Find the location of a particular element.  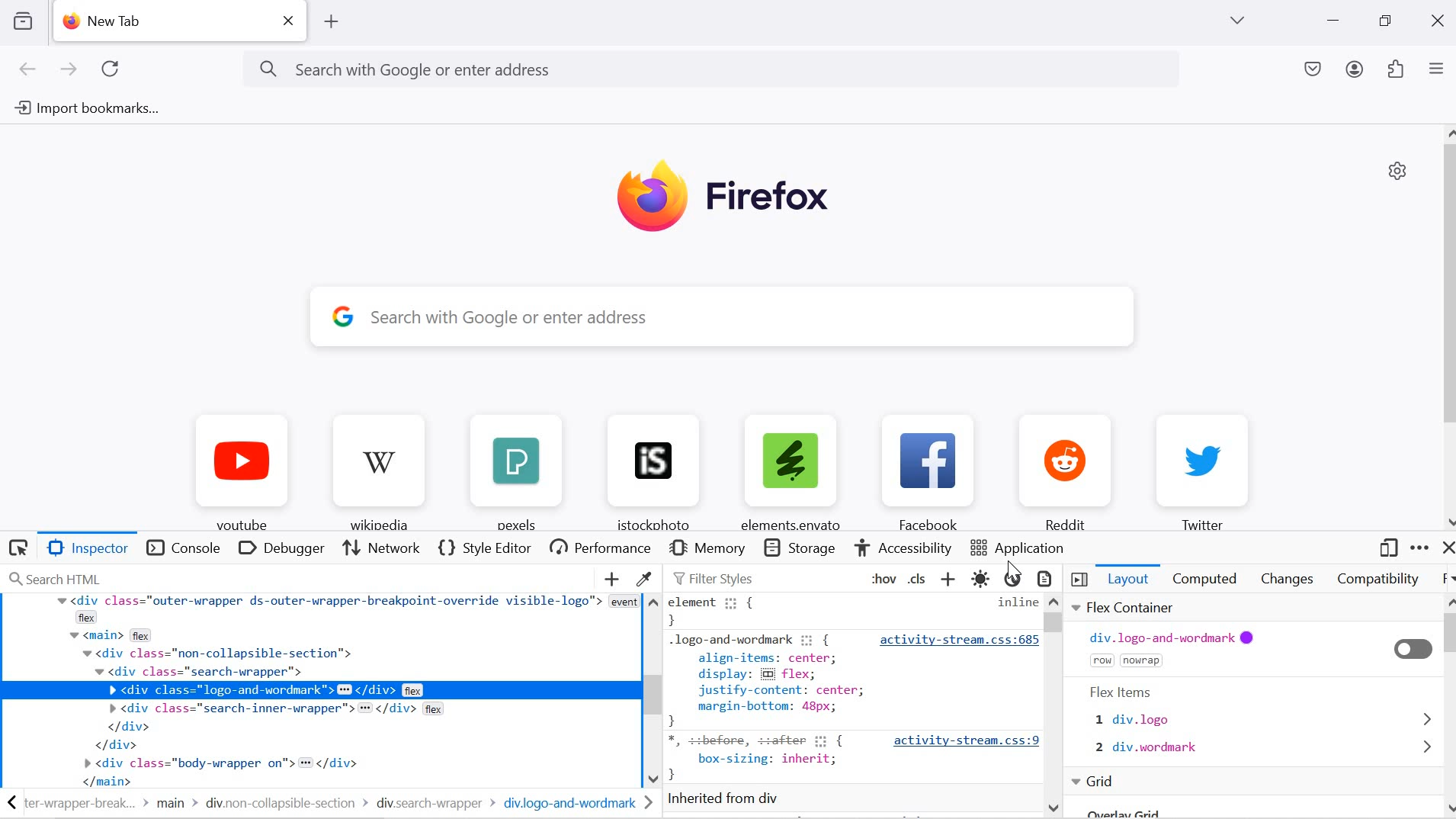

move up is located at coordinates (1447, 131).